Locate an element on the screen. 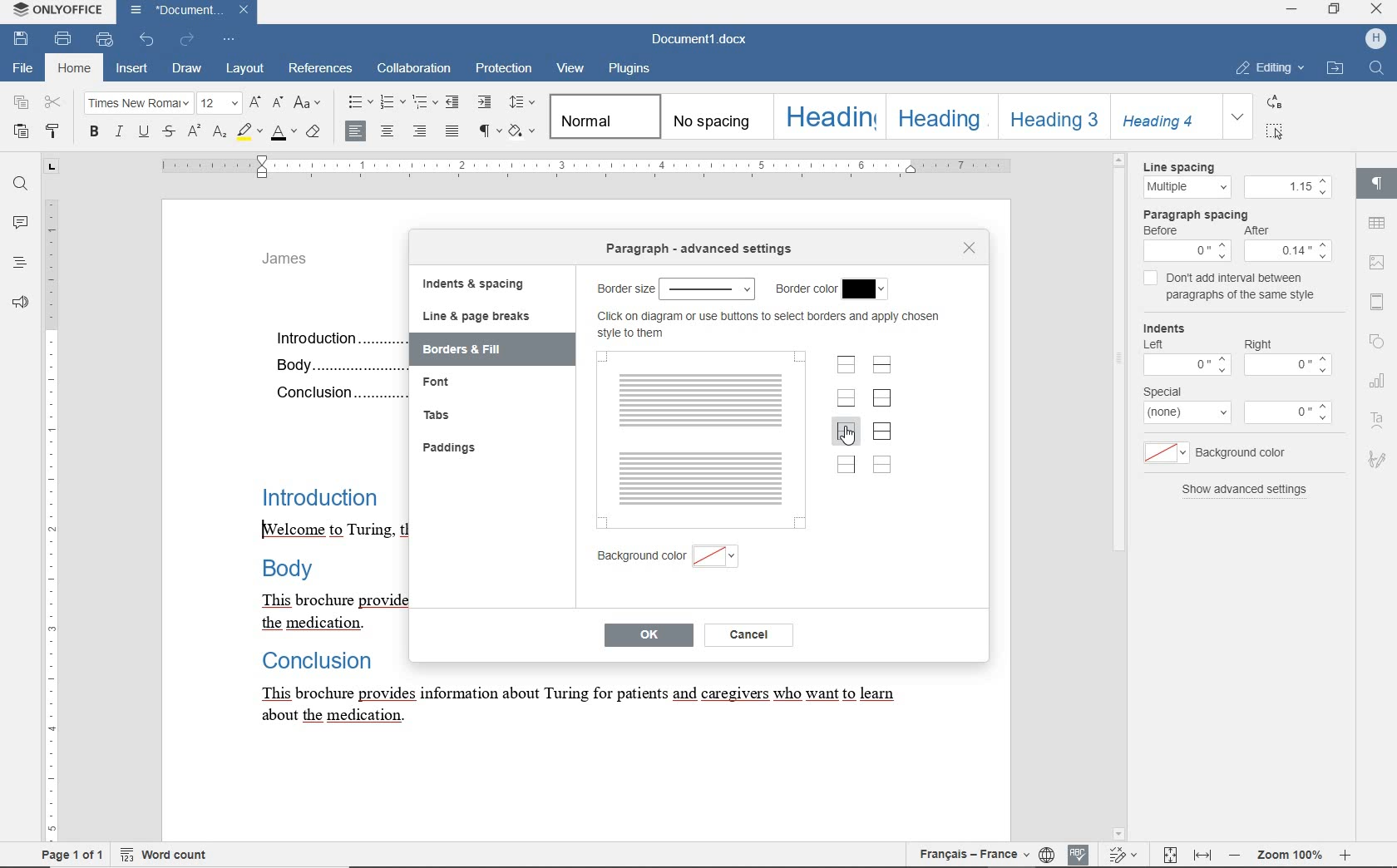 This screenshot has height=868, width=1397. referenes is located at coordinates (322, 69).